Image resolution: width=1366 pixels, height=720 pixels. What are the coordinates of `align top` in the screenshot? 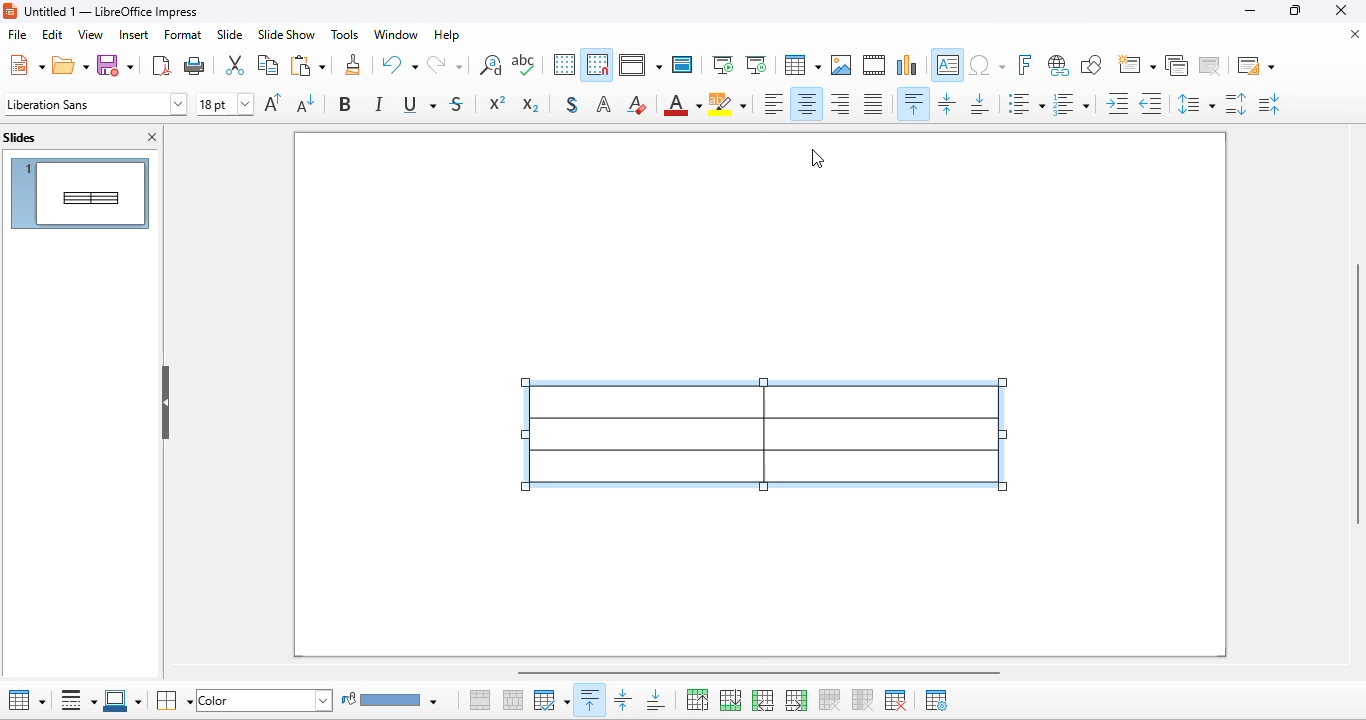 It's located at (591, 700).